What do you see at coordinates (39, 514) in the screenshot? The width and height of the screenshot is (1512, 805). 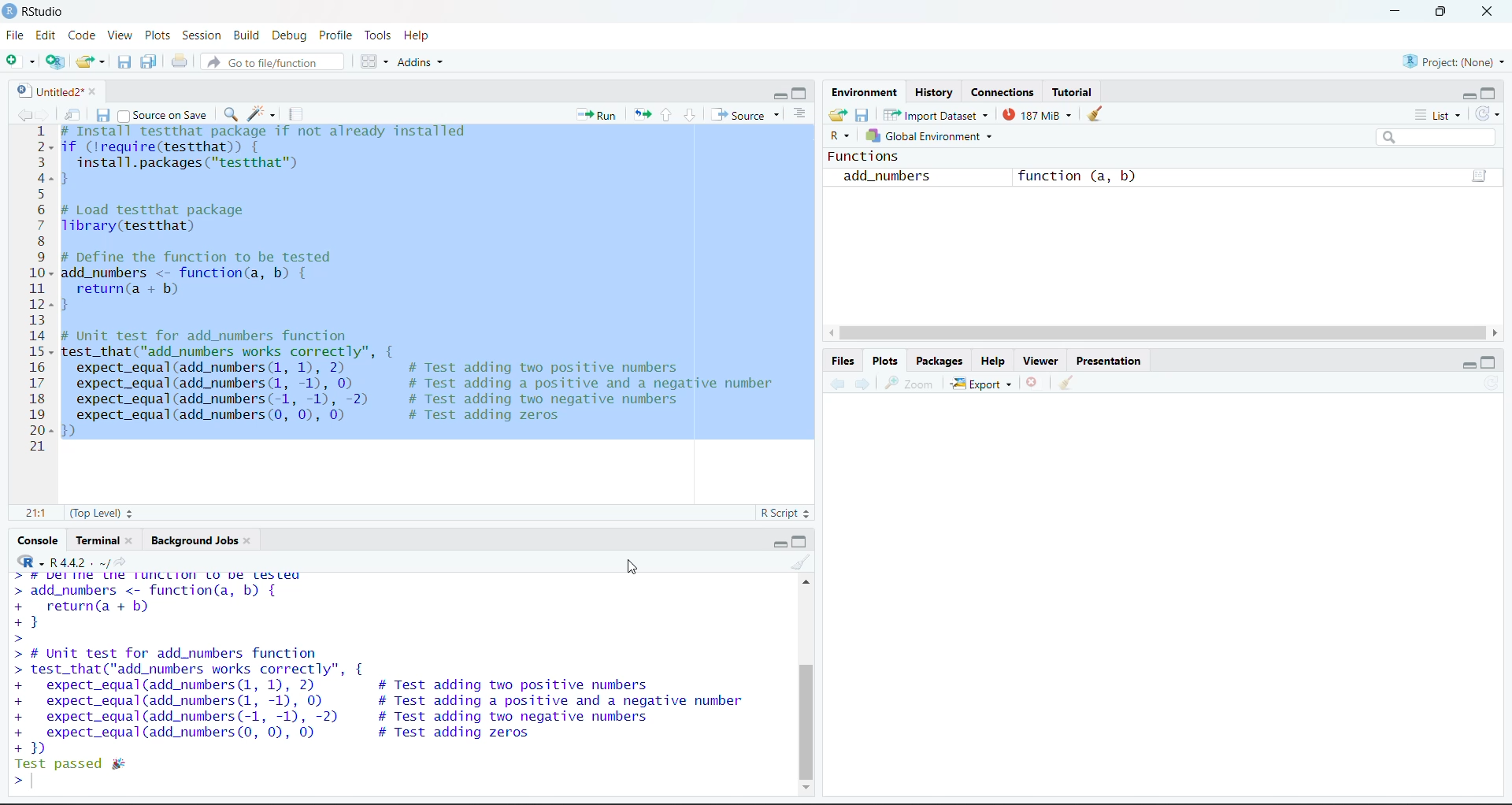 I see `21:1` at bounding box center [39, 514].